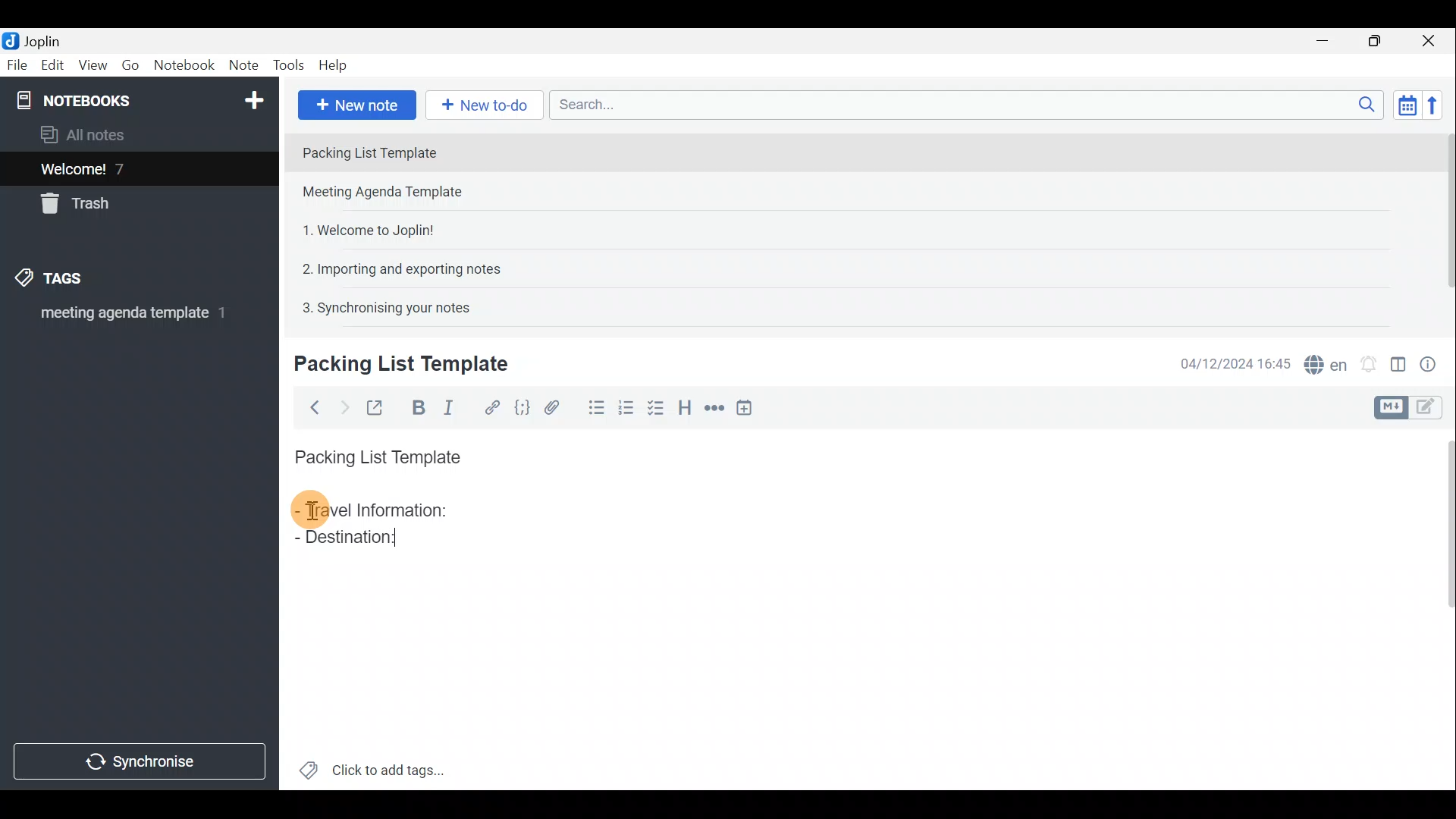 Image resolution: width=1456 pixels, height=819 pixels. What do you see at coordinates (454, 407) in the screenshot?
I see `Italic` at bounding box center [454, 407].